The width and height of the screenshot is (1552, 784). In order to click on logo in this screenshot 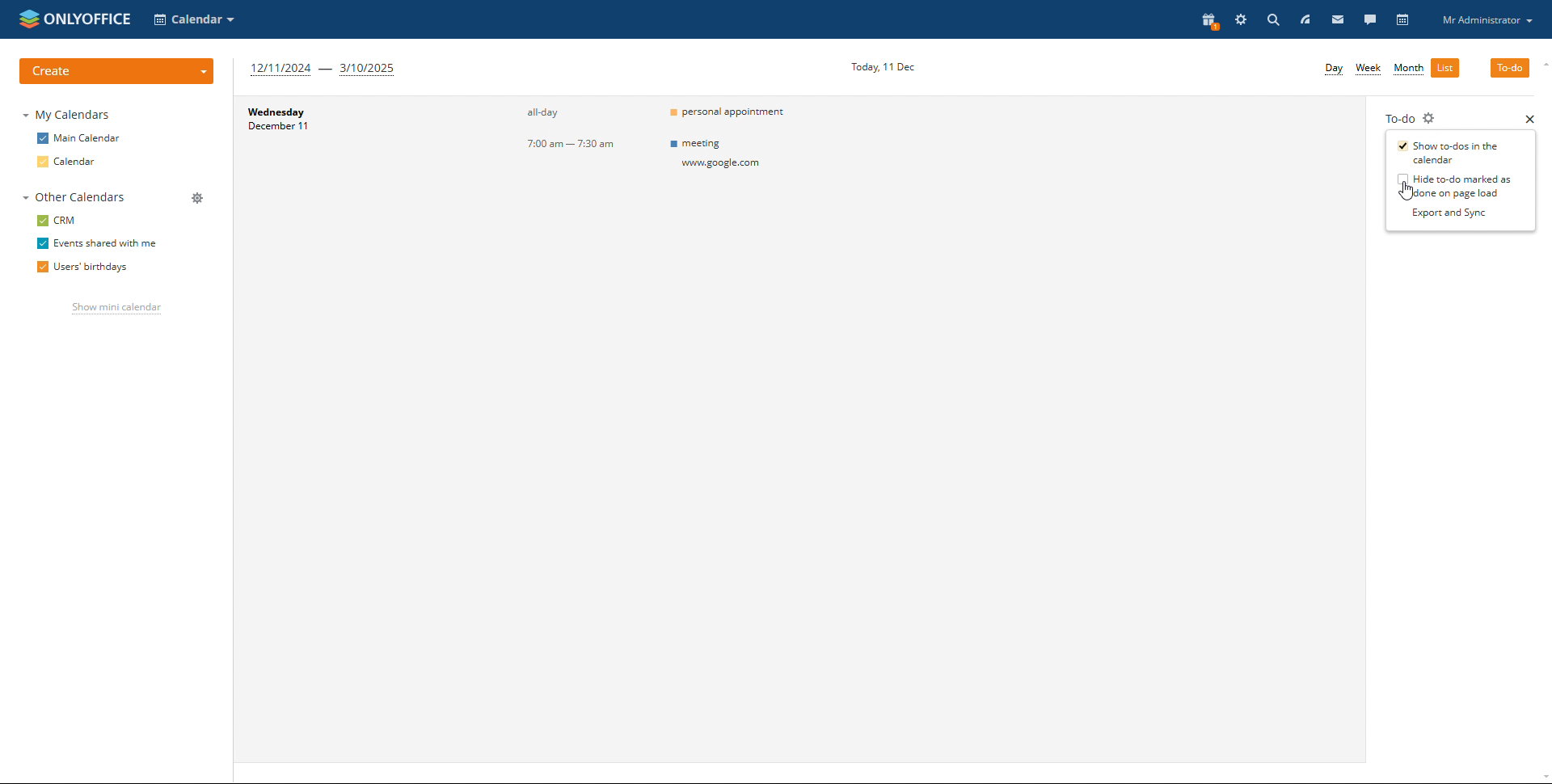, I will do `click(77, 19)`.